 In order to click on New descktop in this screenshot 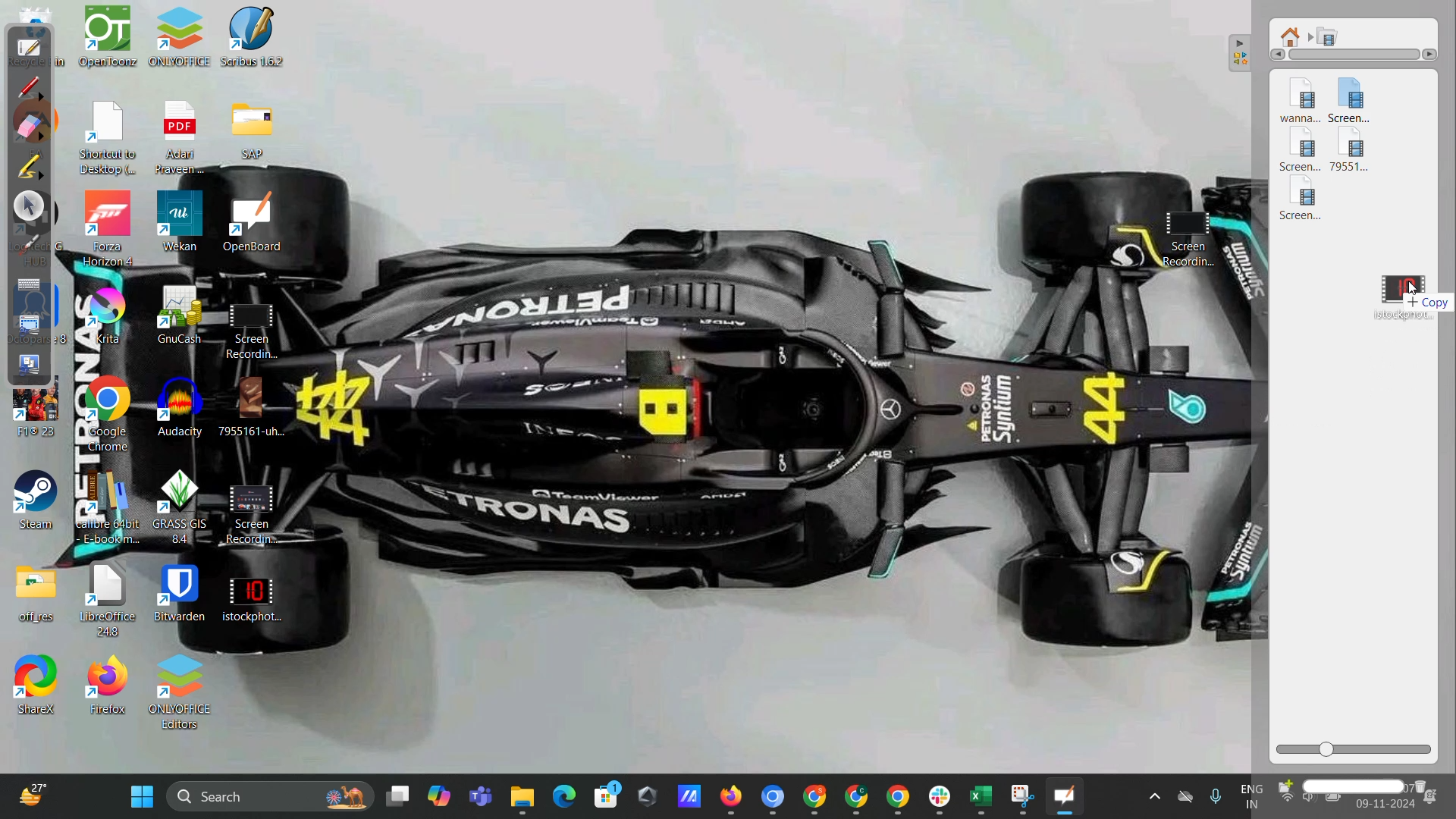, I will do `click(399, 794)`.